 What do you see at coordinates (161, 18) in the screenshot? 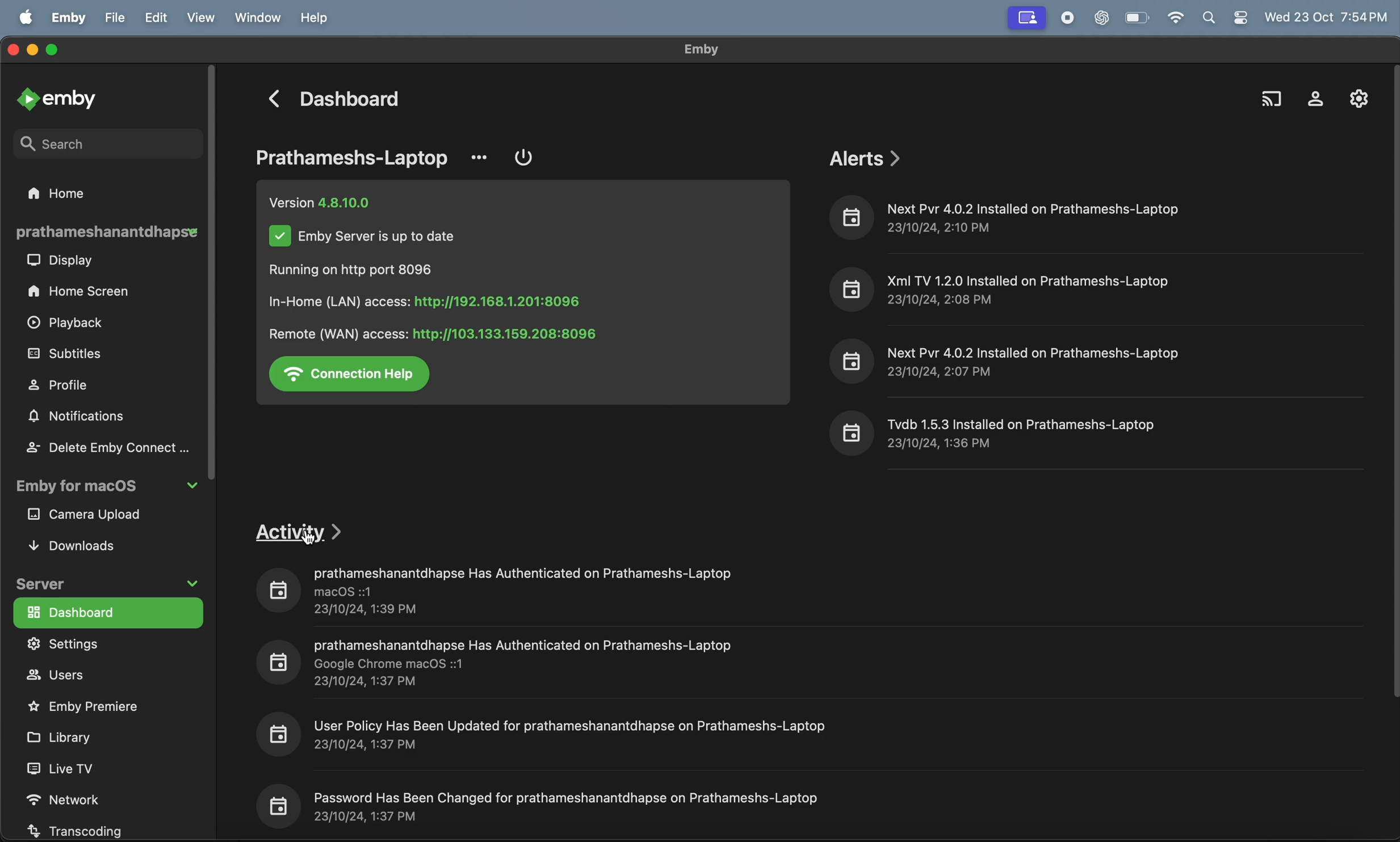
I see `edit` at bounding box center [161, 18].